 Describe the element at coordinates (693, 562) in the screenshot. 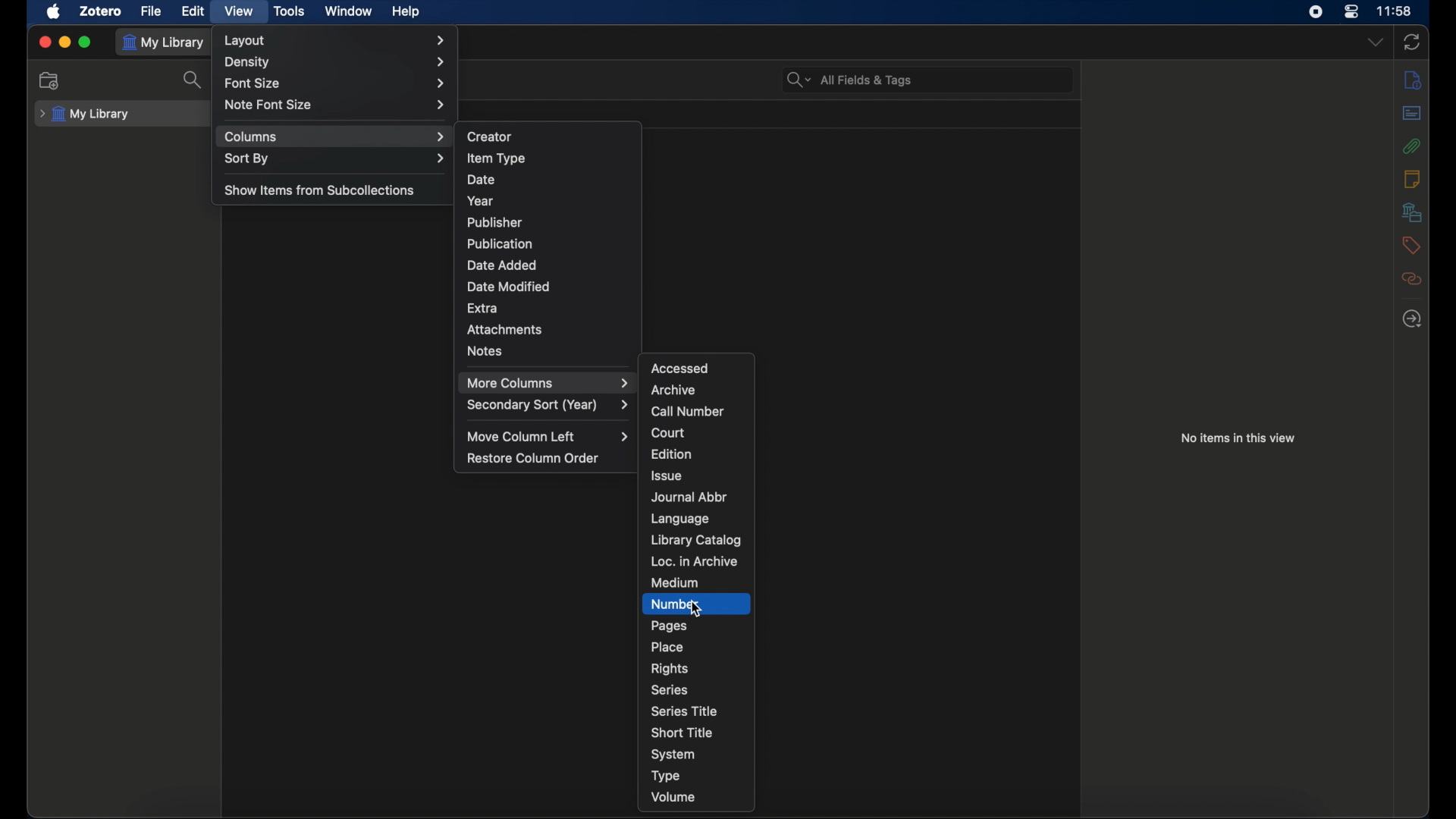

I see `loc. in archive` at that location.